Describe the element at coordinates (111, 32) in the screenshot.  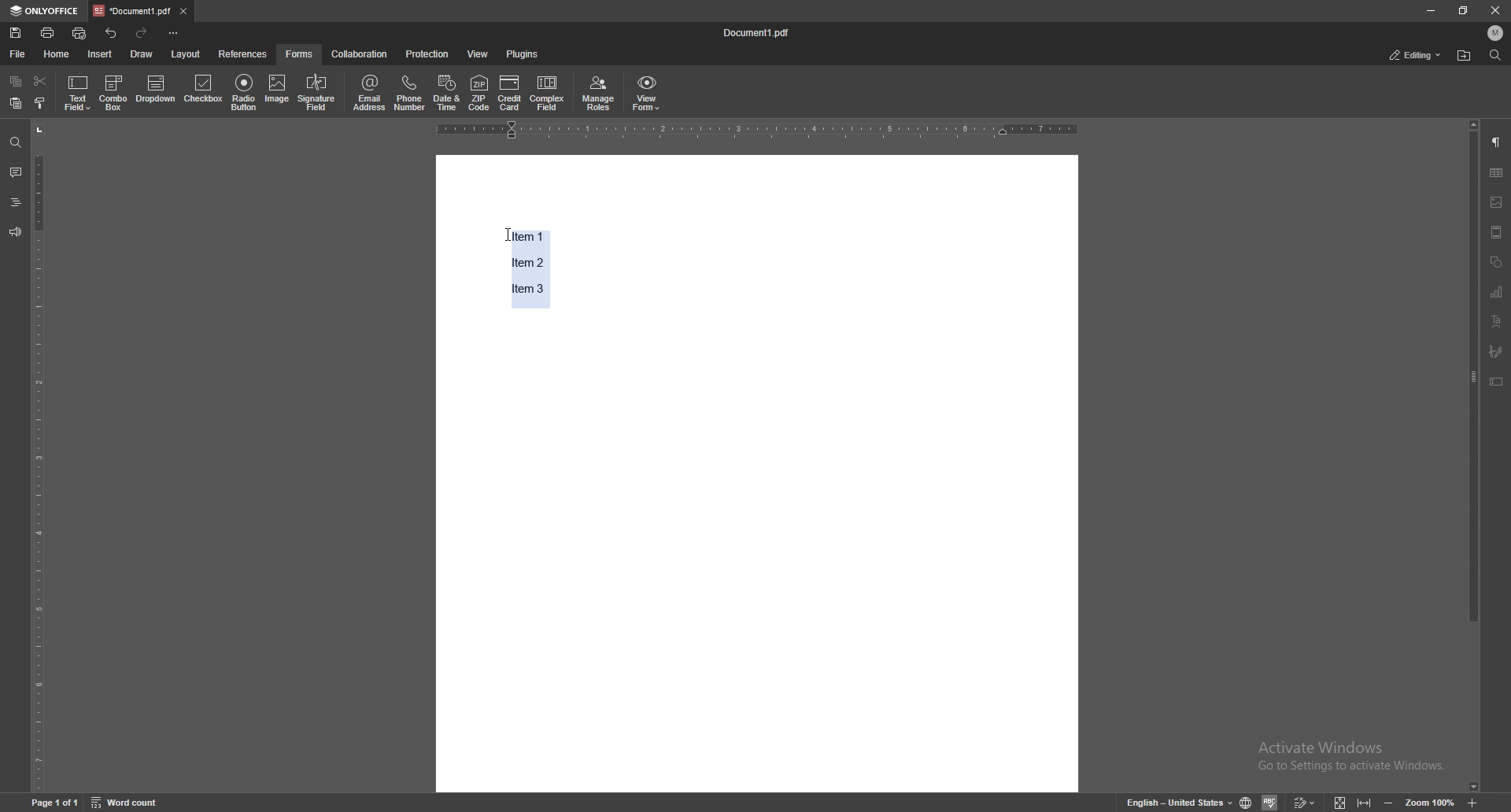
I see `undo` at that location.